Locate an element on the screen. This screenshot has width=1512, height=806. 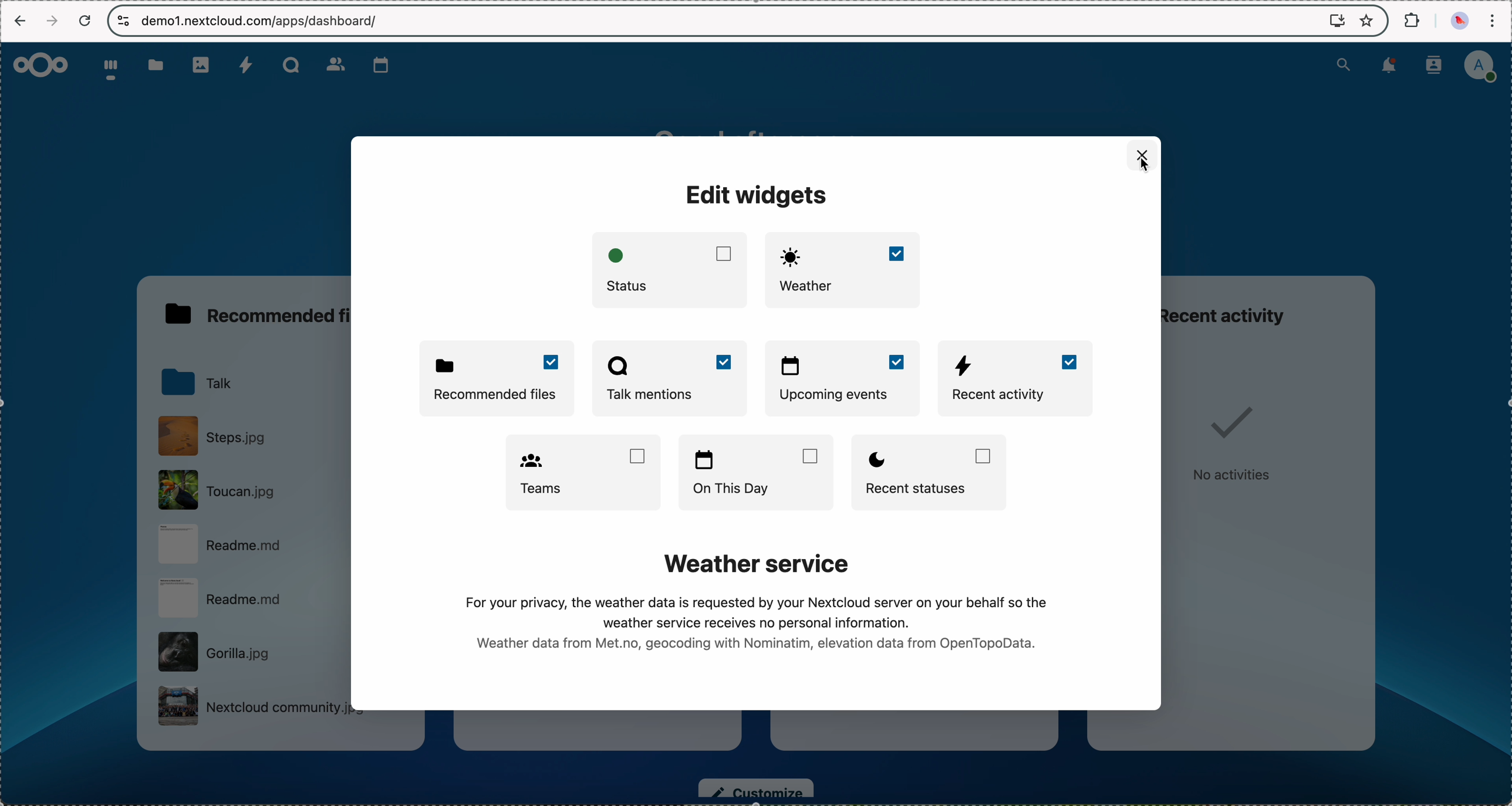
recent activity is located at coordinates (1241, 314).